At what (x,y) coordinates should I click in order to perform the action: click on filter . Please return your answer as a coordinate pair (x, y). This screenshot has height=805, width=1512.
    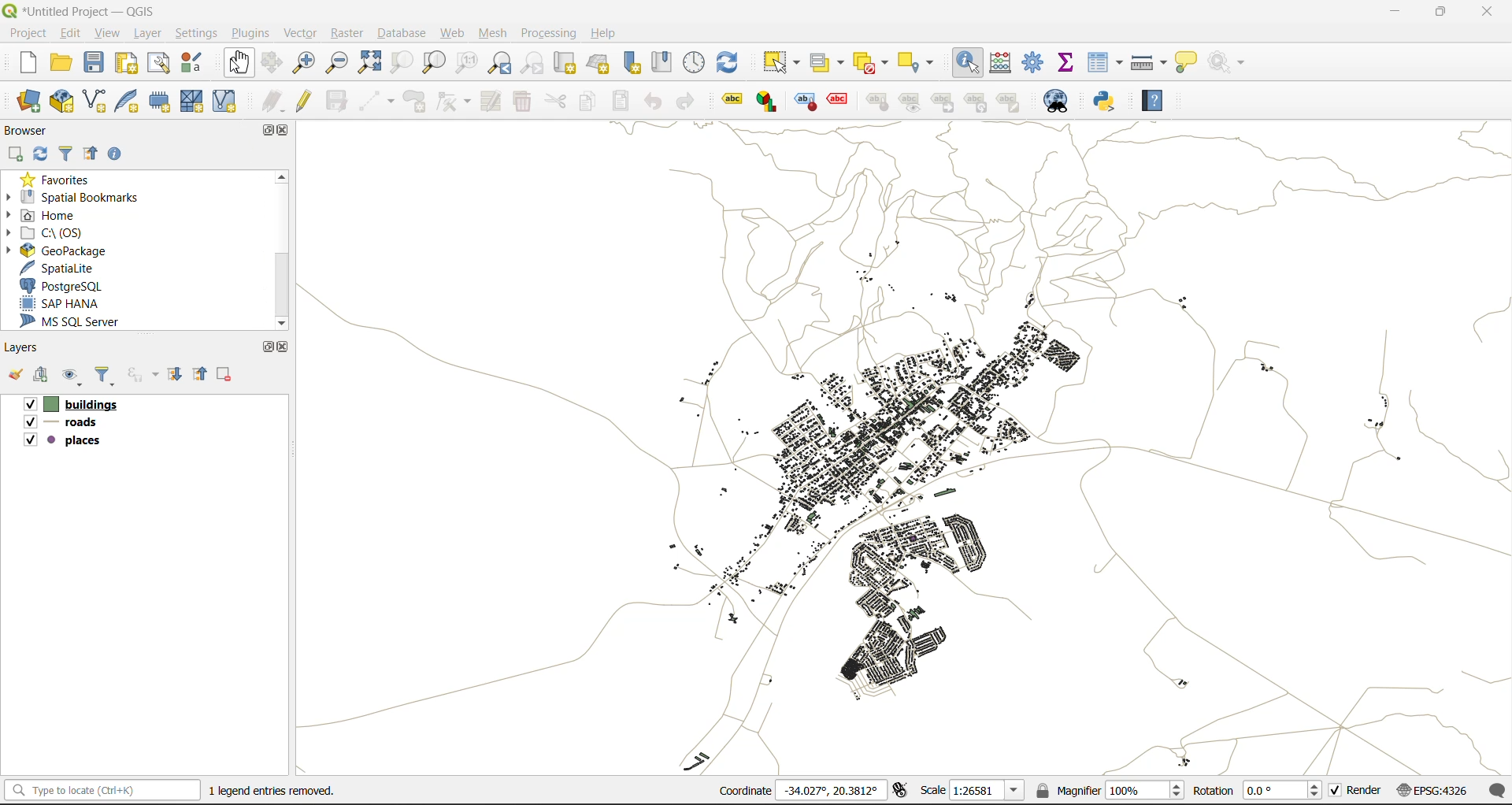
    Looking at the image, I should click on (109, 376).